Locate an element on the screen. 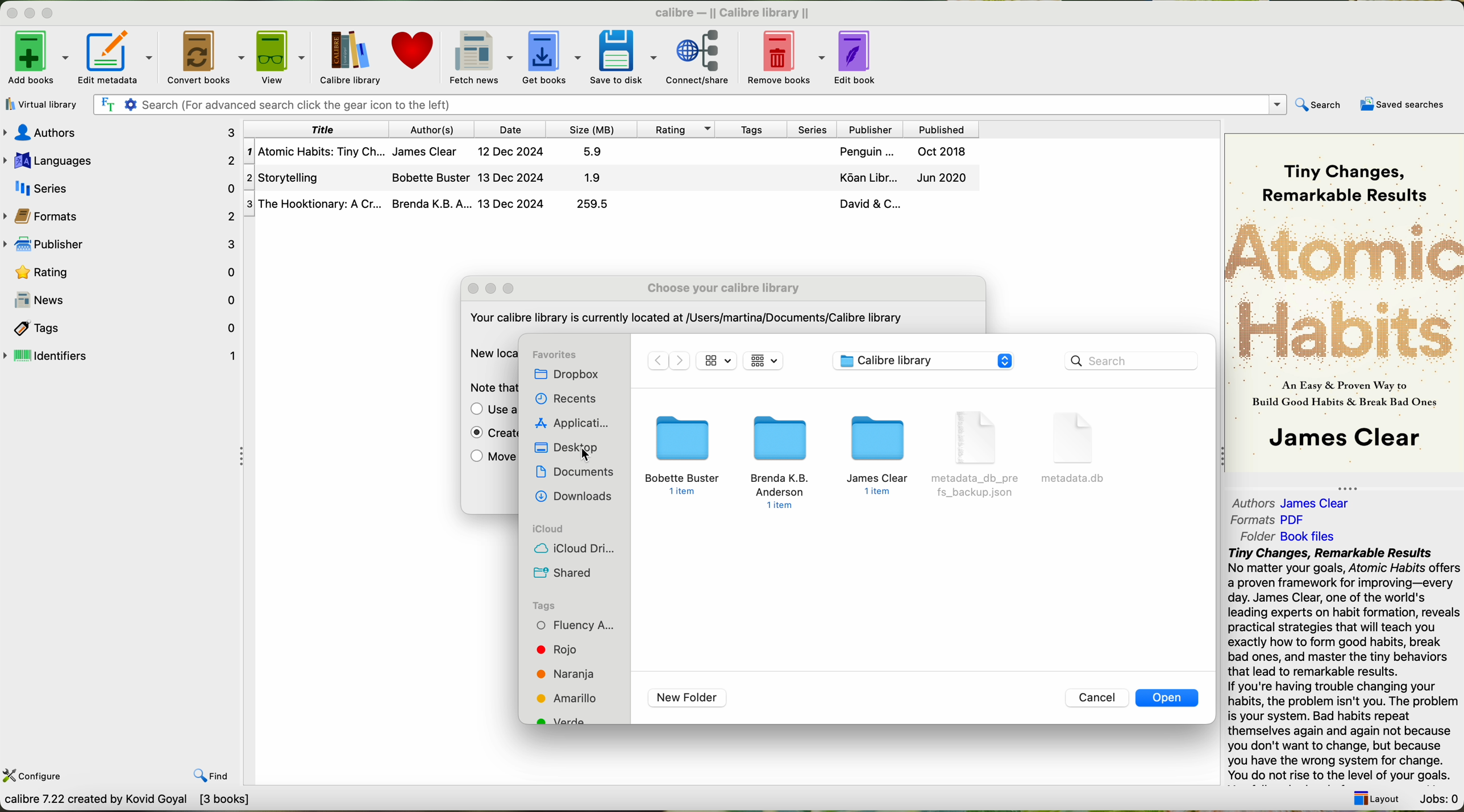 Image resolution: width=1464 pixels, height=812 pixels. donate is located at coordinates (414, 56).